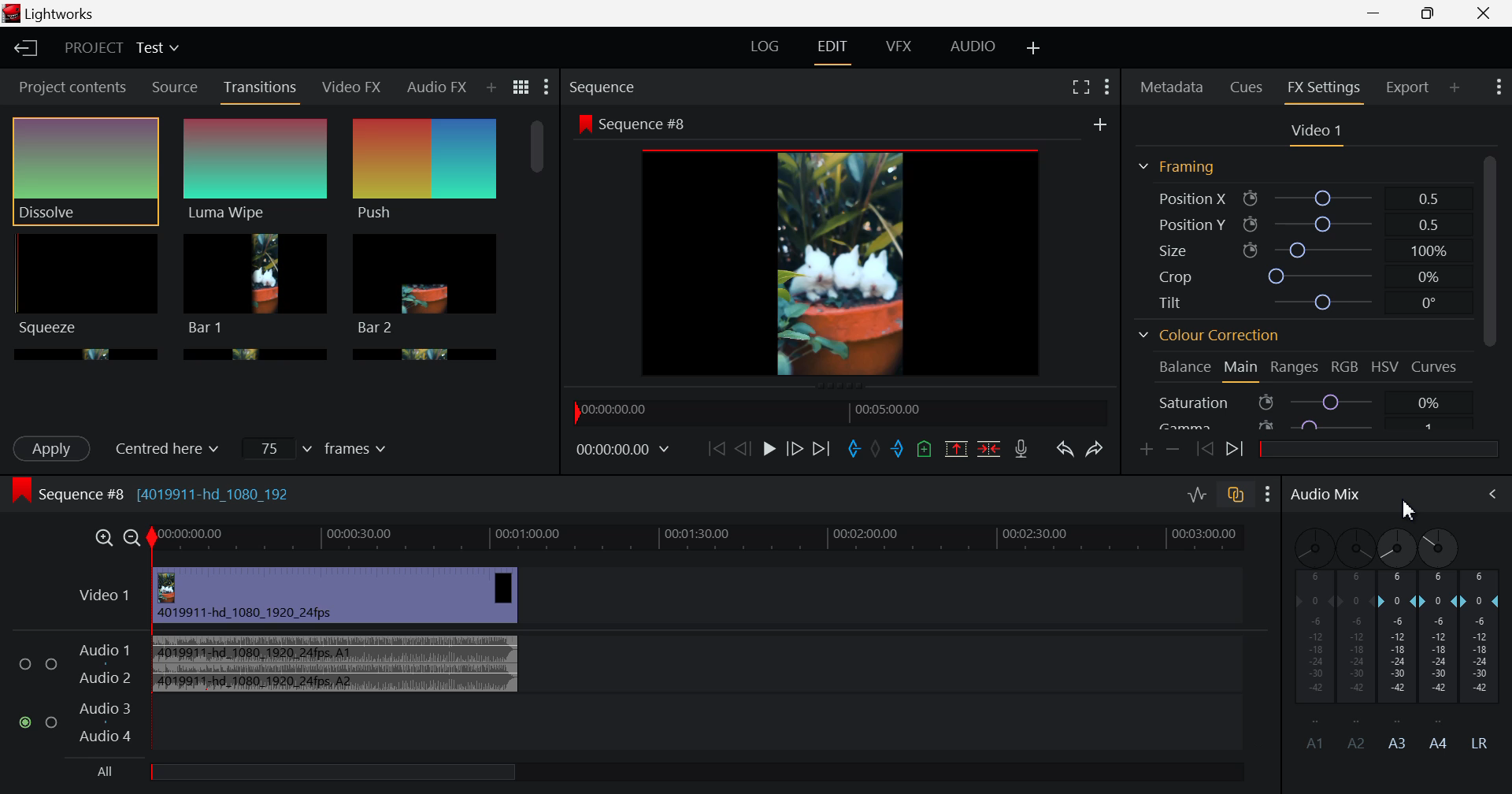  What do you see at coordinates (713, 538) in the screenshot?
I see `Timeline Track` at bounding box center [713, 538].